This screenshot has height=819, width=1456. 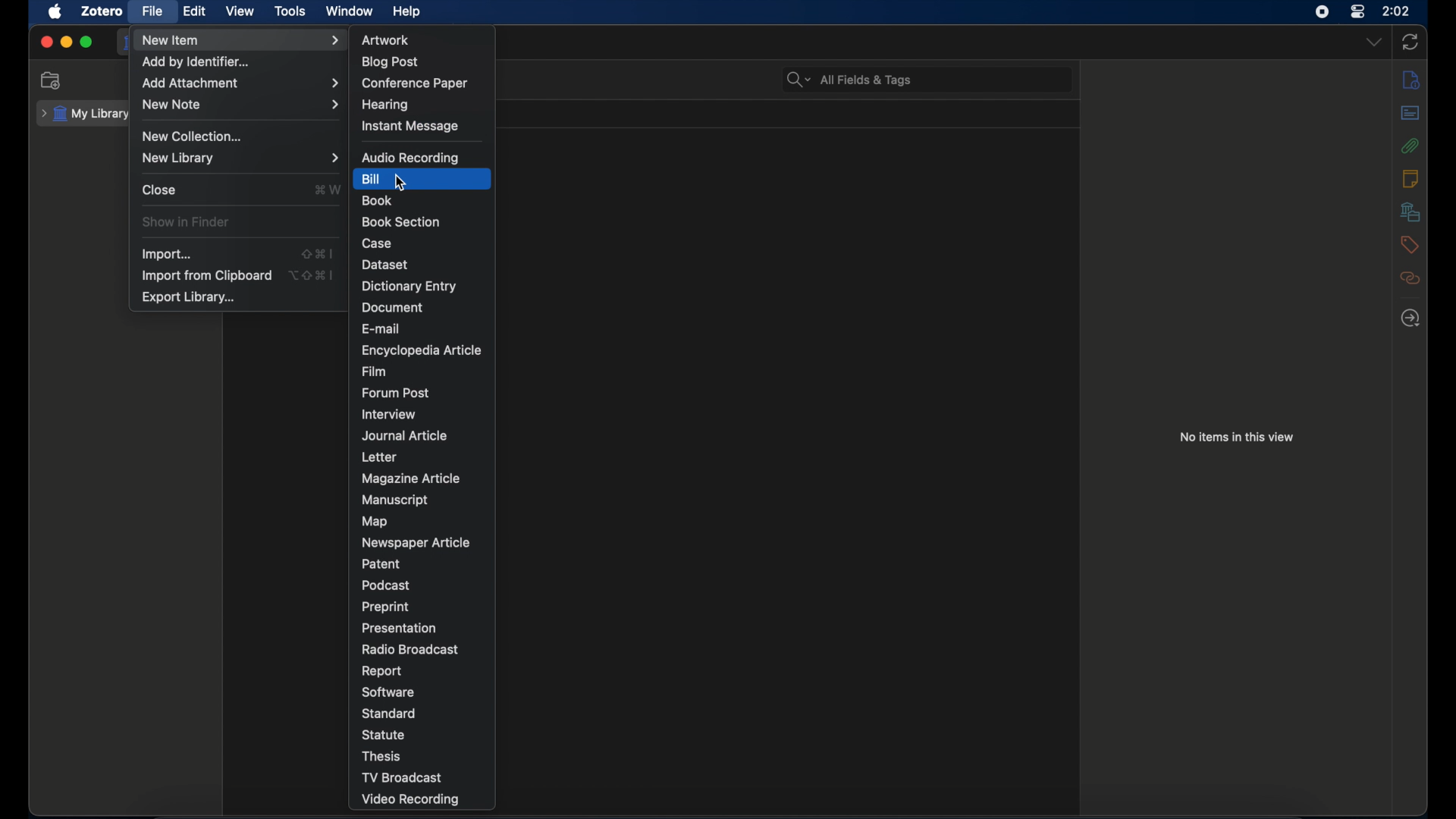 I want to click on window, so click(x=350, y=11).